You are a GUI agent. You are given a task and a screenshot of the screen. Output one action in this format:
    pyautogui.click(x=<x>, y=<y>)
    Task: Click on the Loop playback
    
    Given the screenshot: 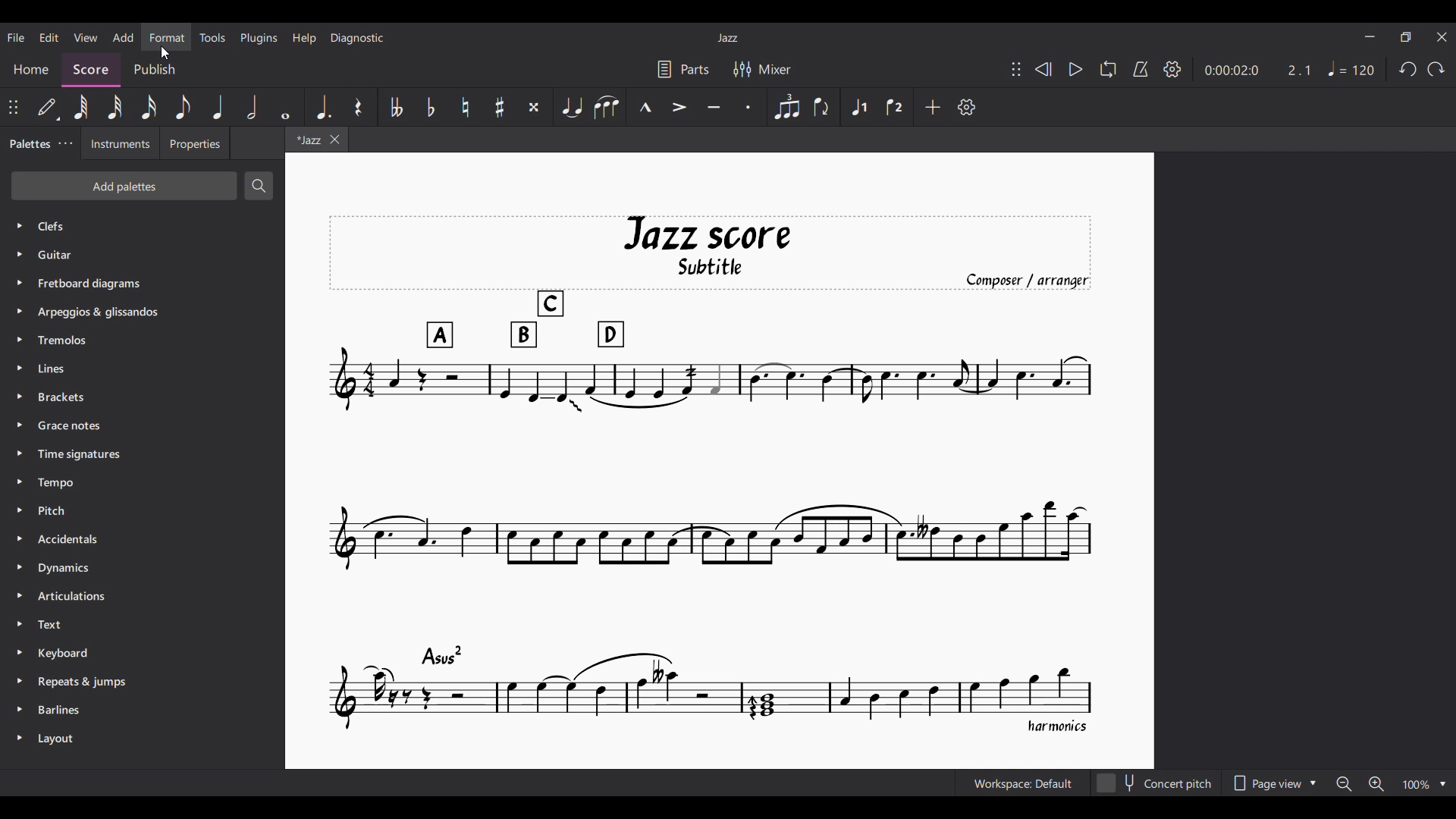 What is the action you would take?
    pyautogui.click(x=1107, y=68)
    